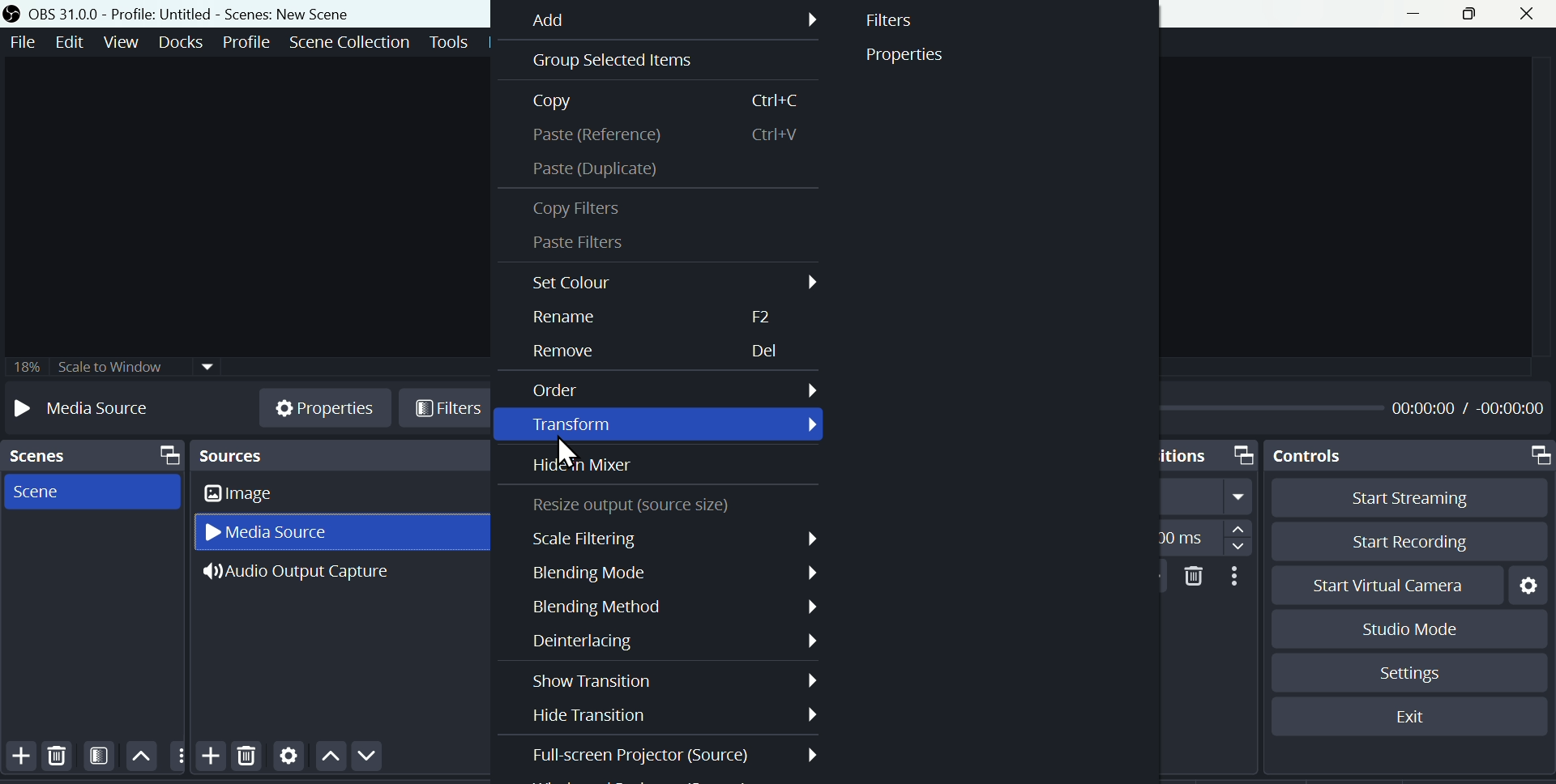  Describe the element at coordinates (179, 42) in the screenshot. I see `Docks` at that location.